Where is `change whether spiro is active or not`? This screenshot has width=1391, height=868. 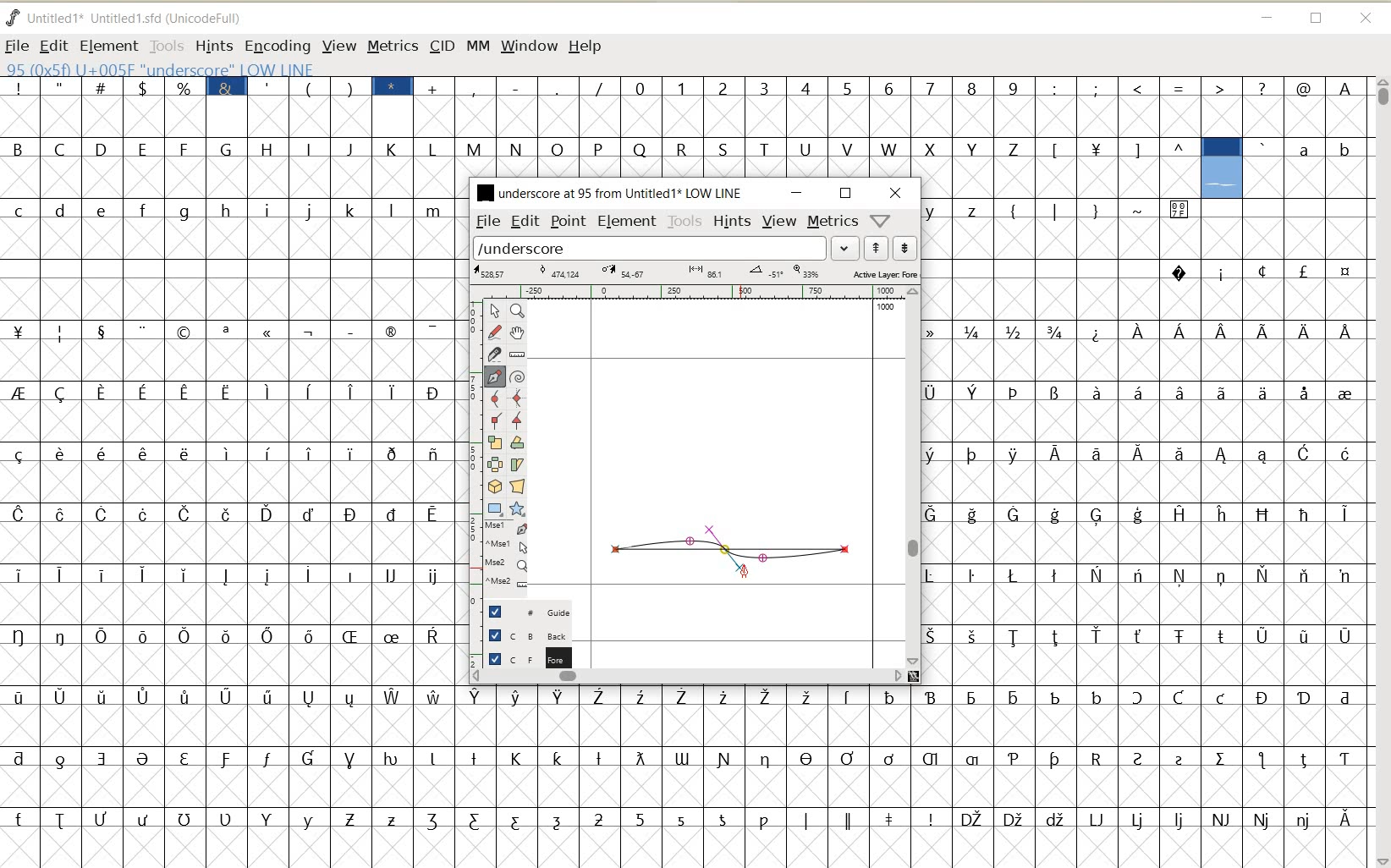
change whether spiro is active or not is located at coordinates (517, 375).